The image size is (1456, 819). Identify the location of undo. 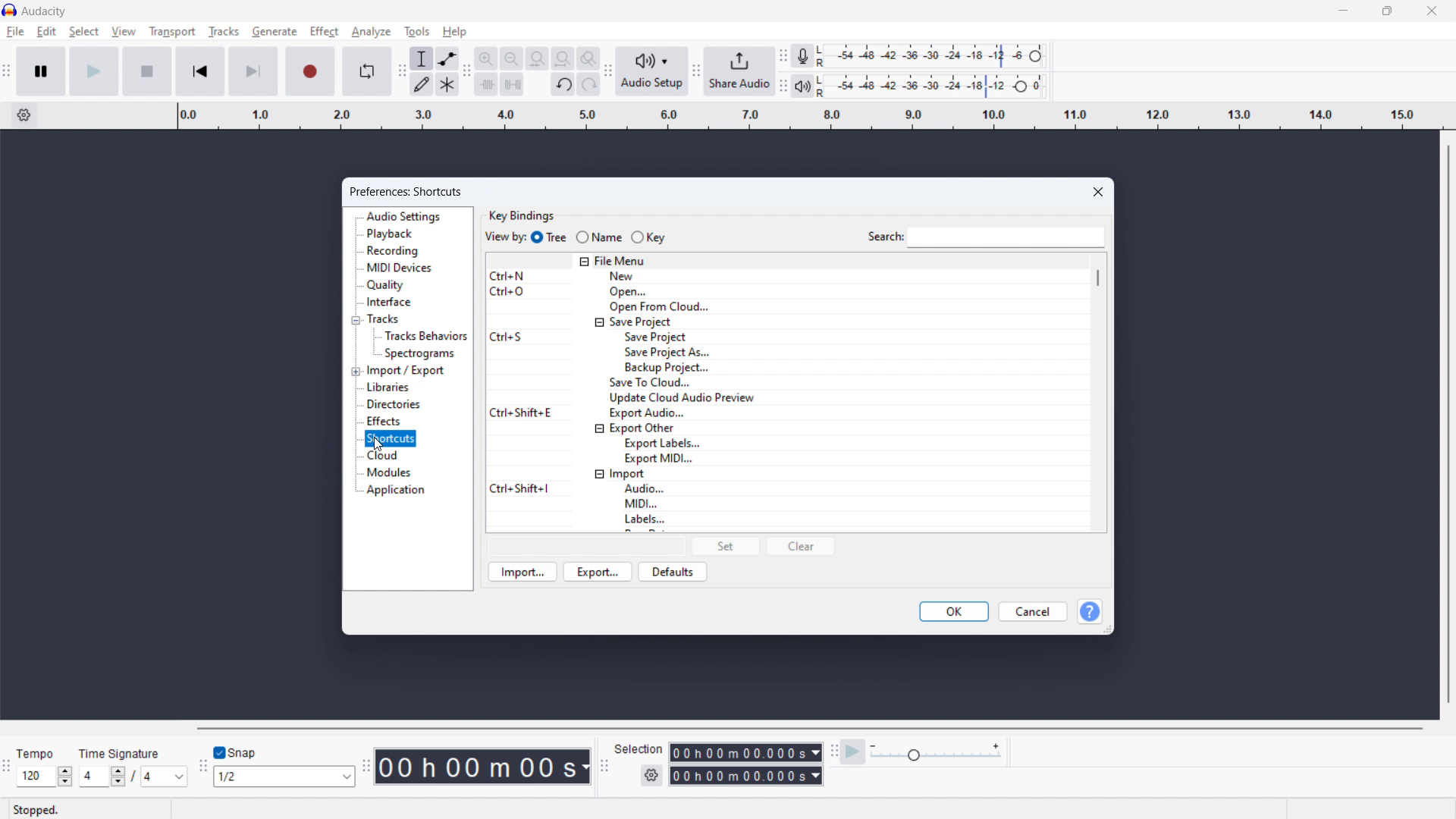
(563, 85).